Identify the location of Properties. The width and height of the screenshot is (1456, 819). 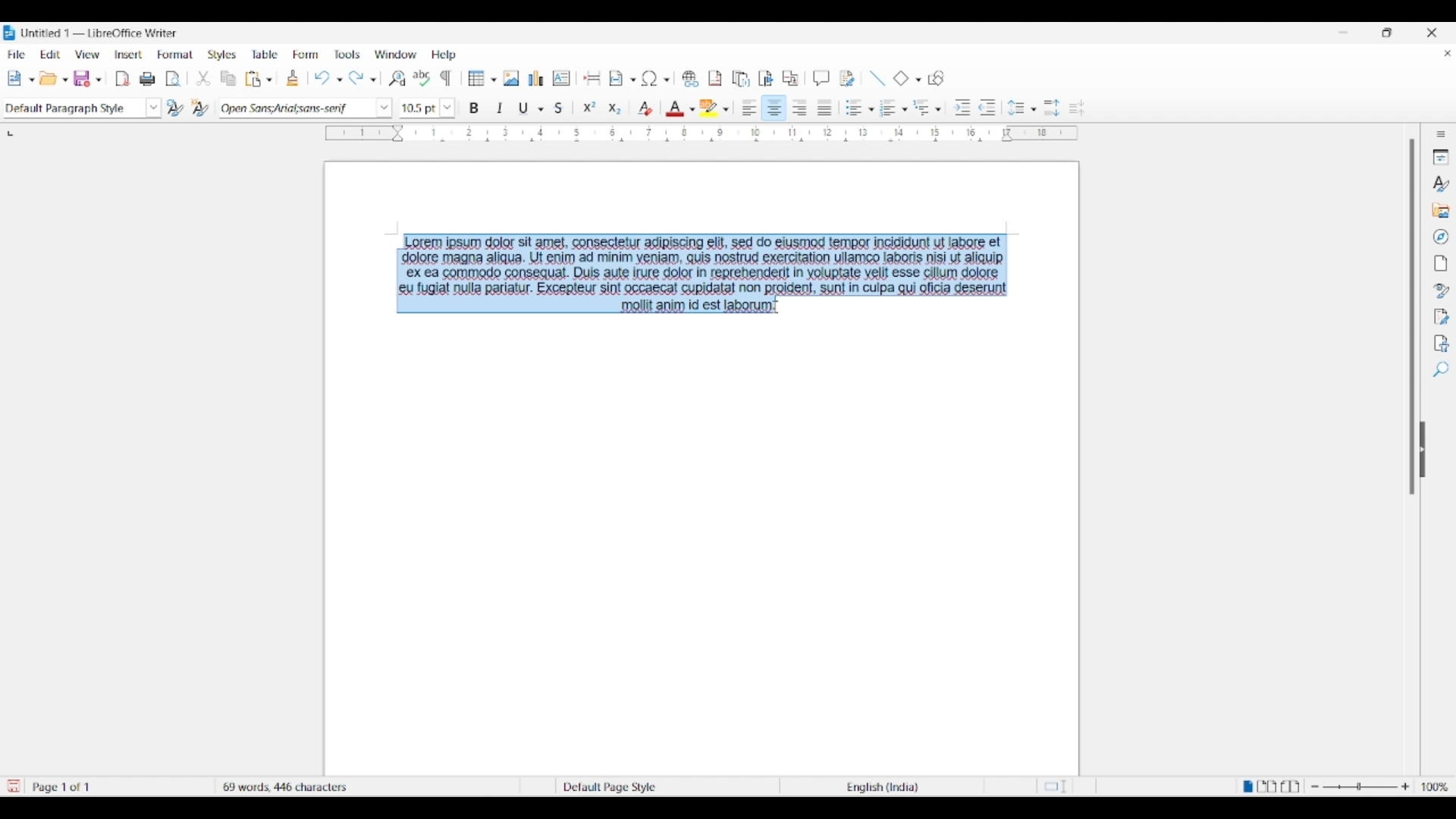
(1441, 157).